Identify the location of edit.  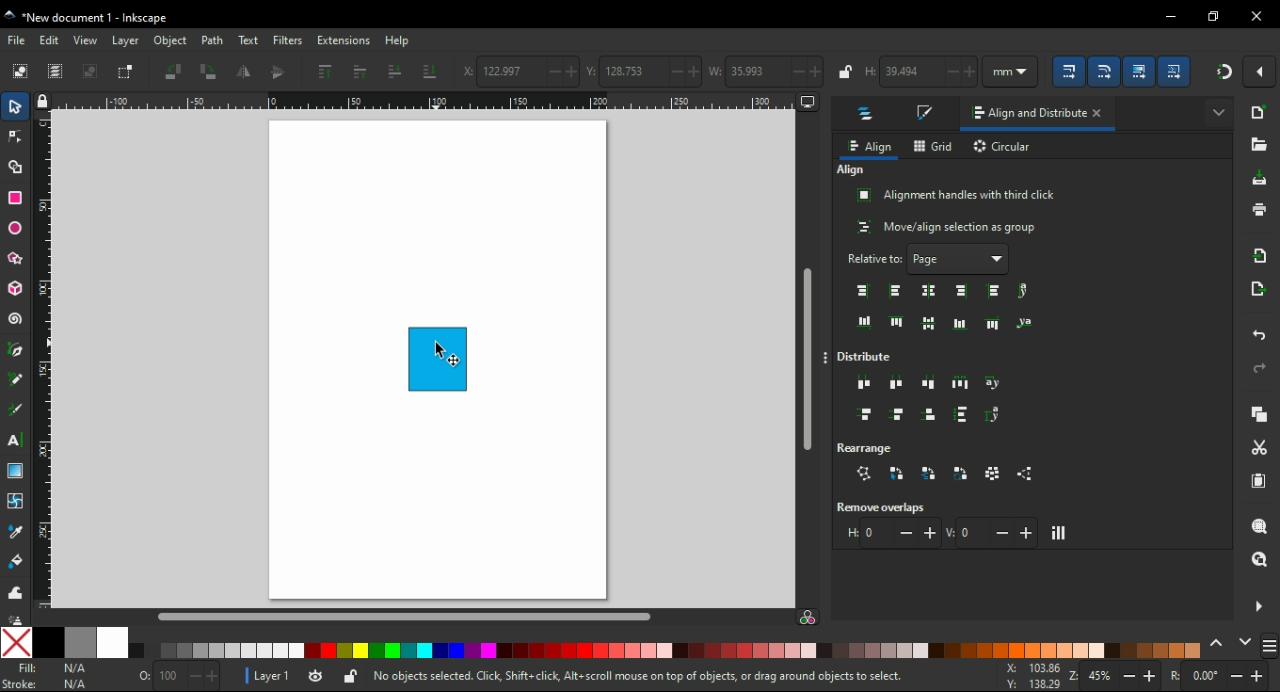
(51, 40).